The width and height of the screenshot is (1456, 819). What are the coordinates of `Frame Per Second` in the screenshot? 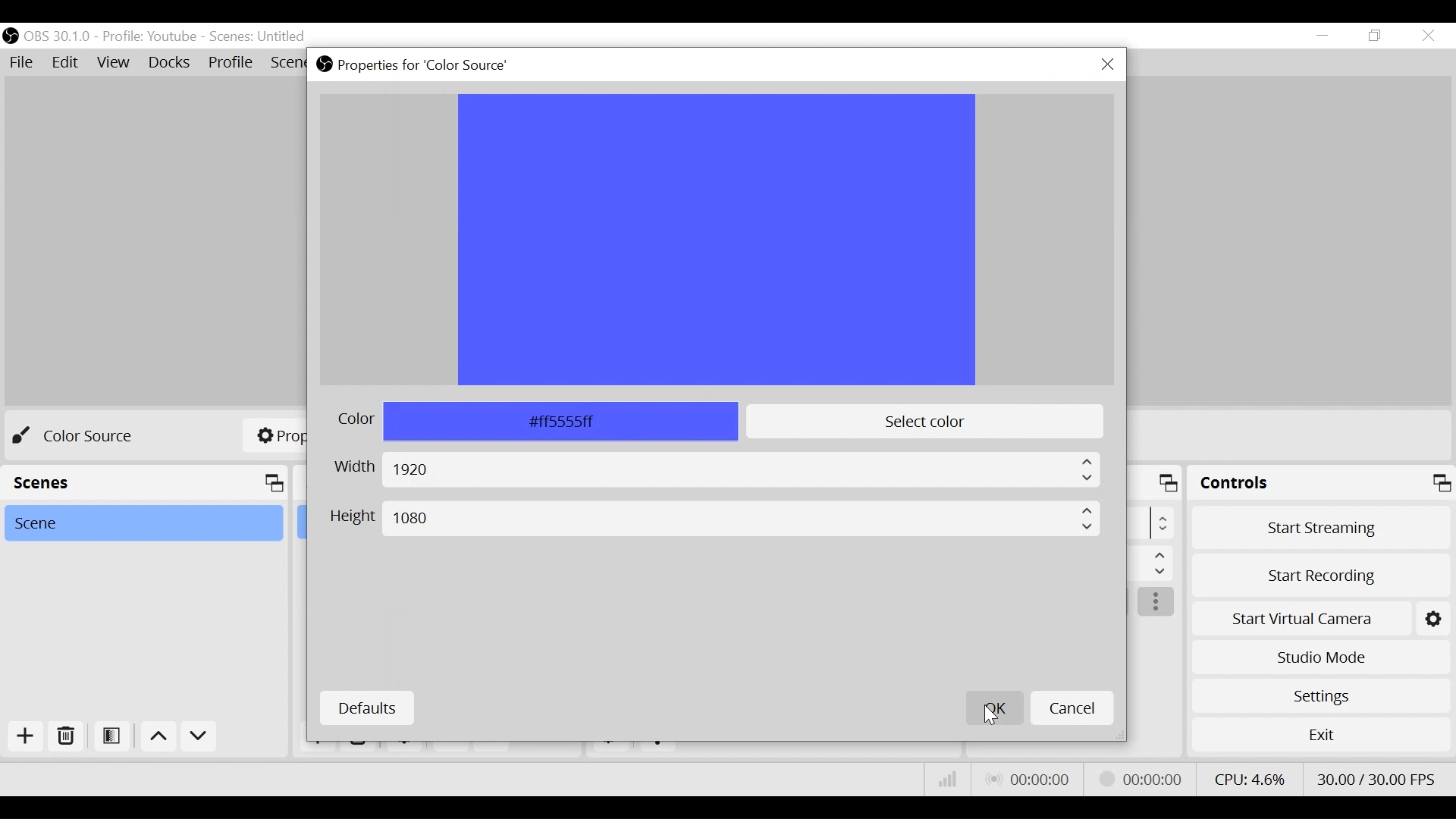 It's located at (1376, 777).